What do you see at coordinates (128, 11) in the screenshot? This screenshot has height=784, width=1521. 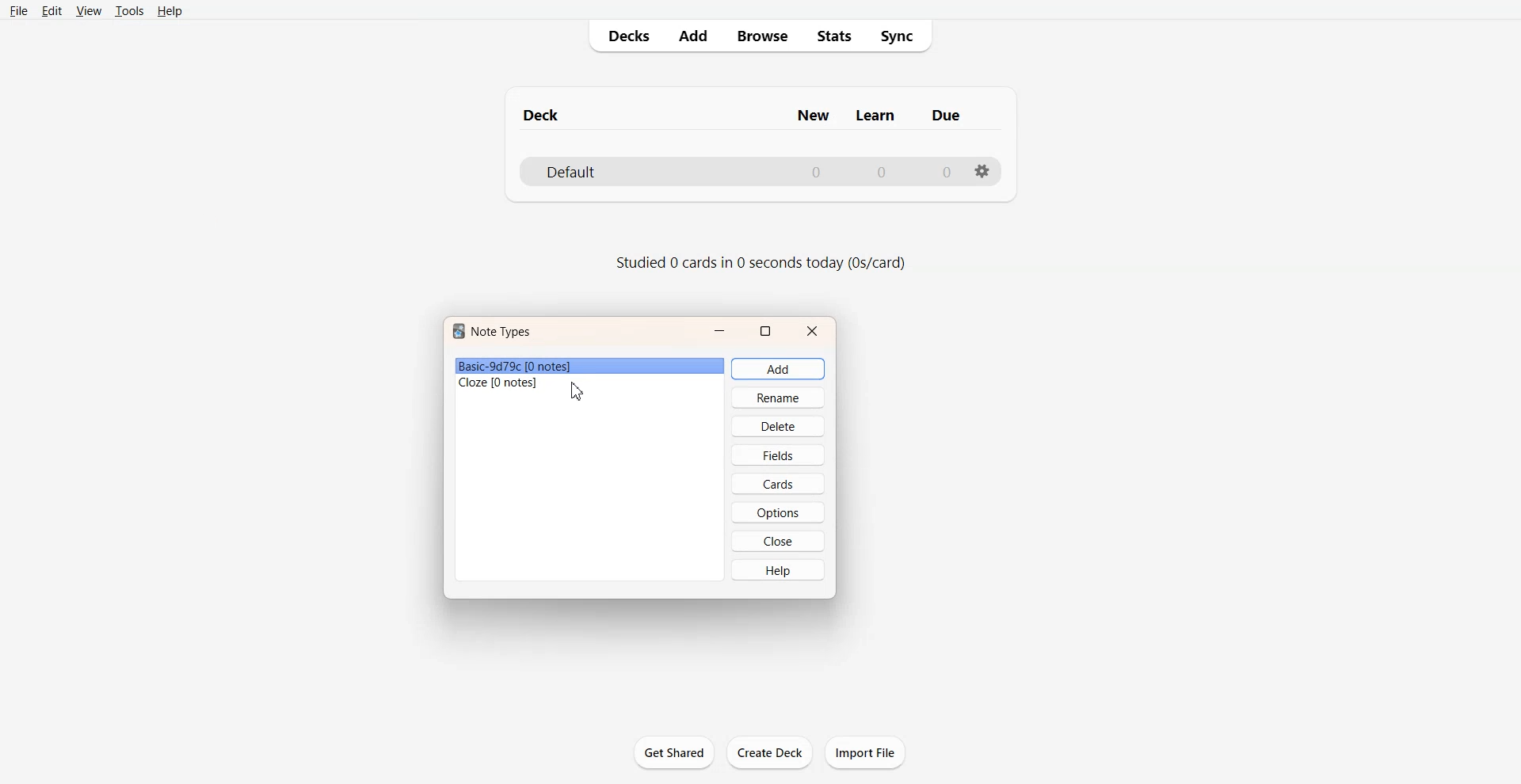 I see `Tools` at bounding box center [128, 11].